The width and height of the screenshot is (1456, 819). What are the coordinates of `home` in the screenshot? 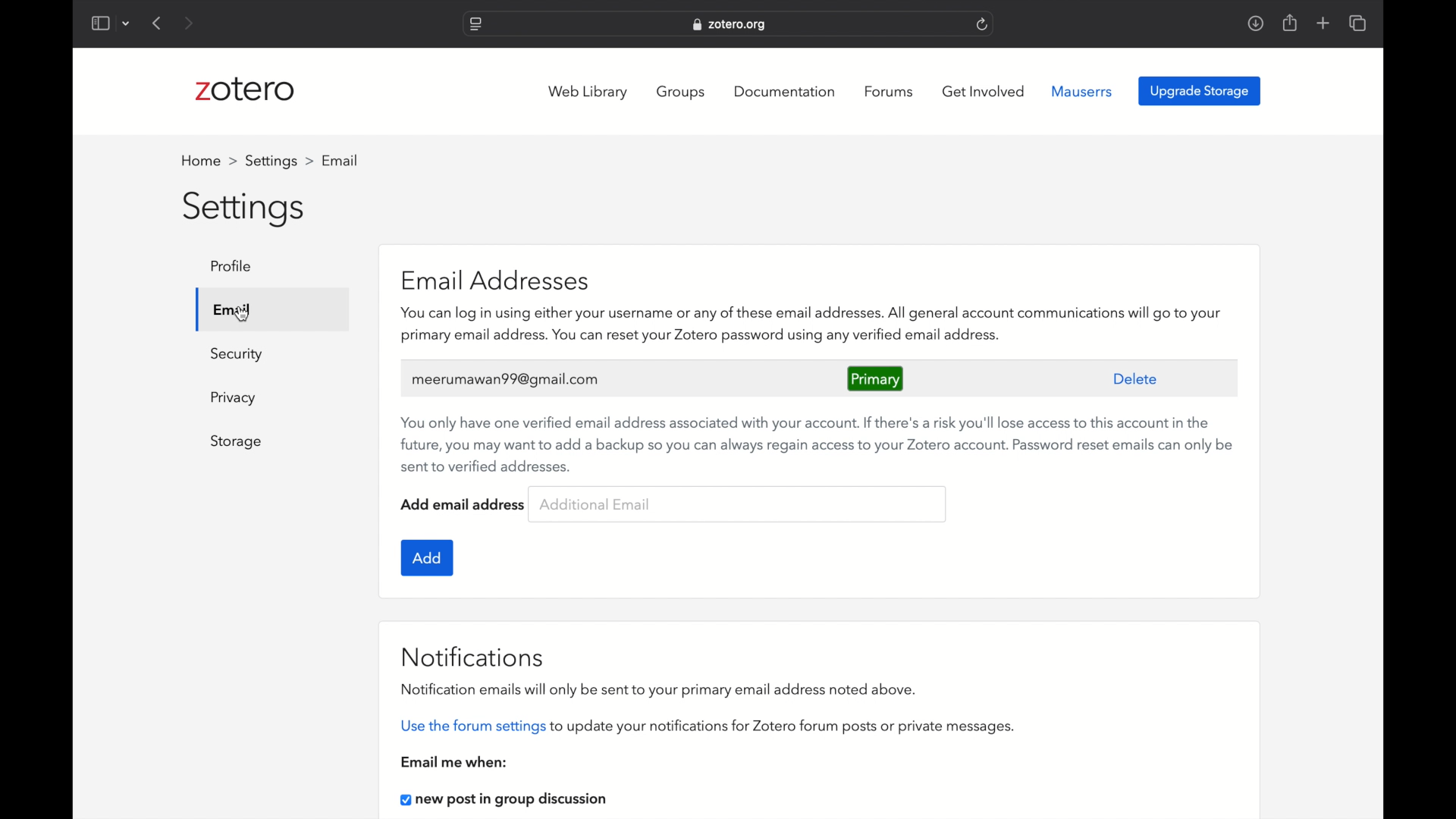 It's located at (209, 161).